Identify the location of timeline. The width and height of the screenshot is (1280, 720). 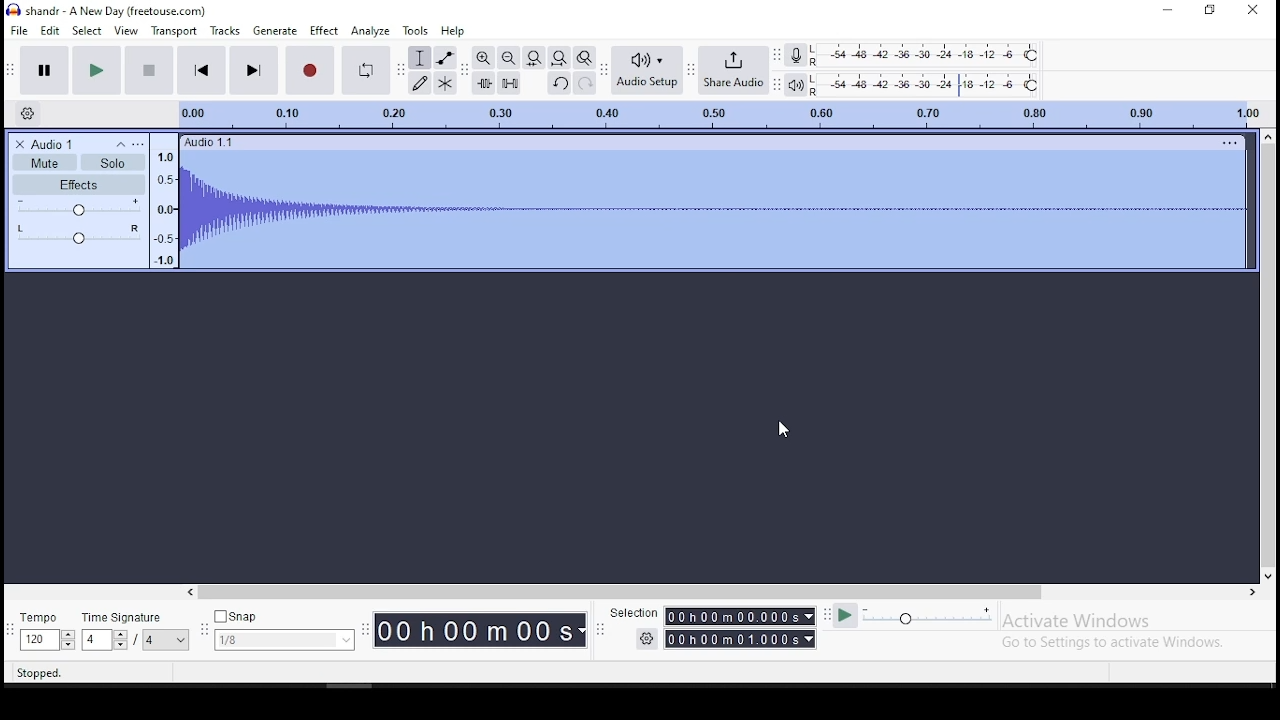
(714, 113).